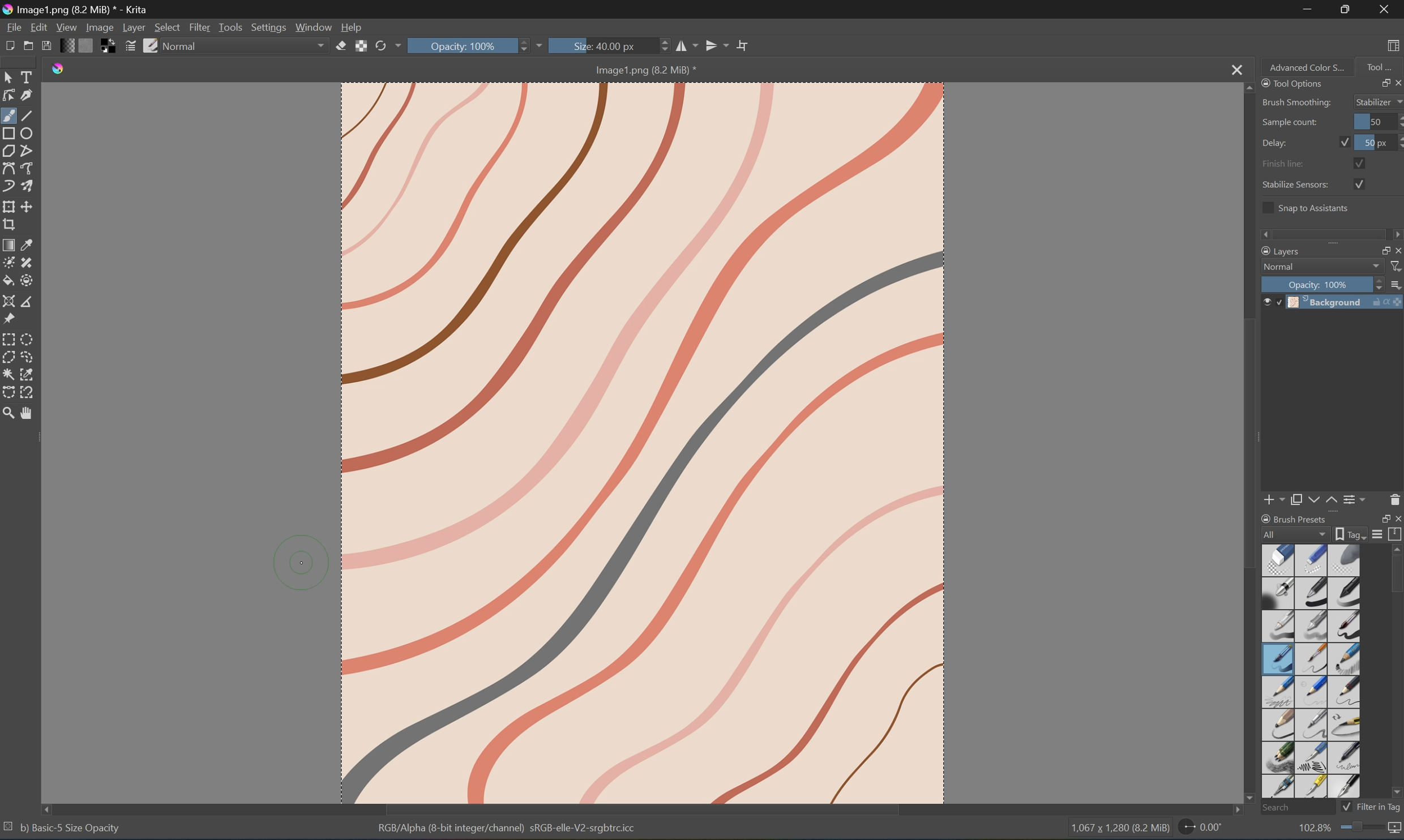  What do you see at coordinates (508, 830) in the screenshot?
I see `RGB Alpha (8-bit integer/channel) sRGB-elle-V2-srgbcicc` at bounding box center [508, 830].